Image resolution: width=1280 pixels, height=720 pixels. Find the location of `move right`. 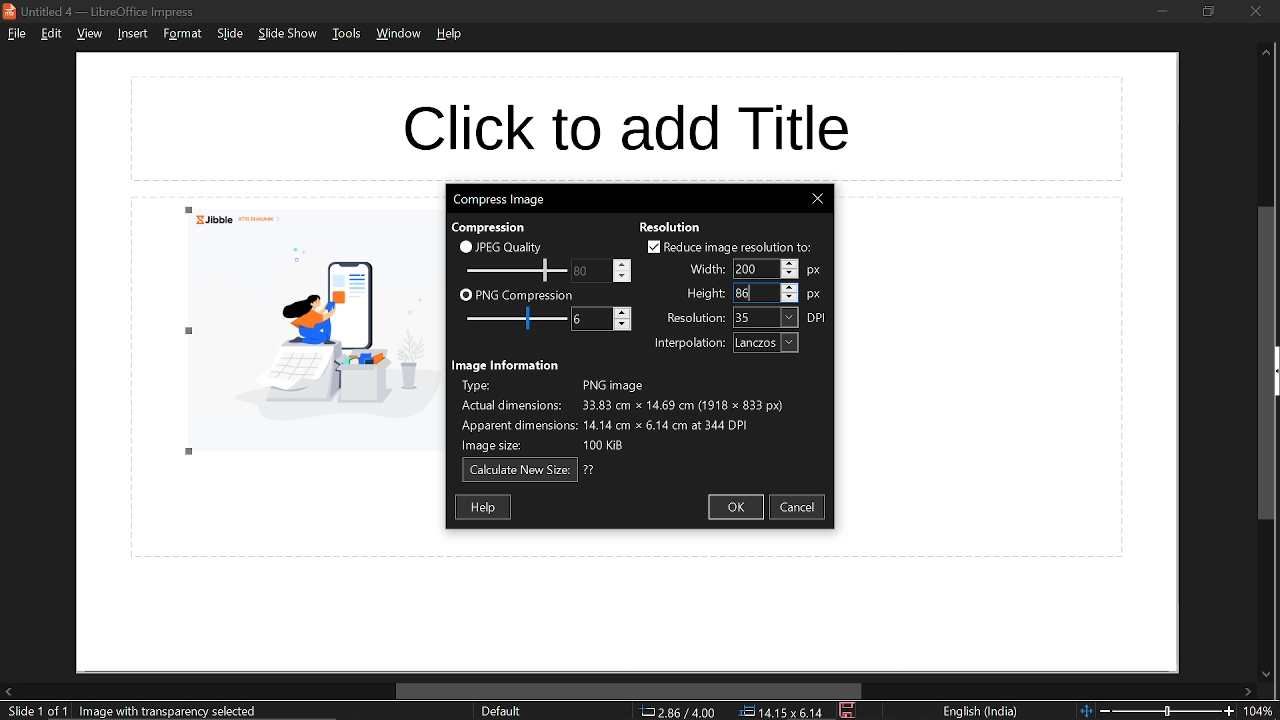

move right is located at coordinates (1248, 693).